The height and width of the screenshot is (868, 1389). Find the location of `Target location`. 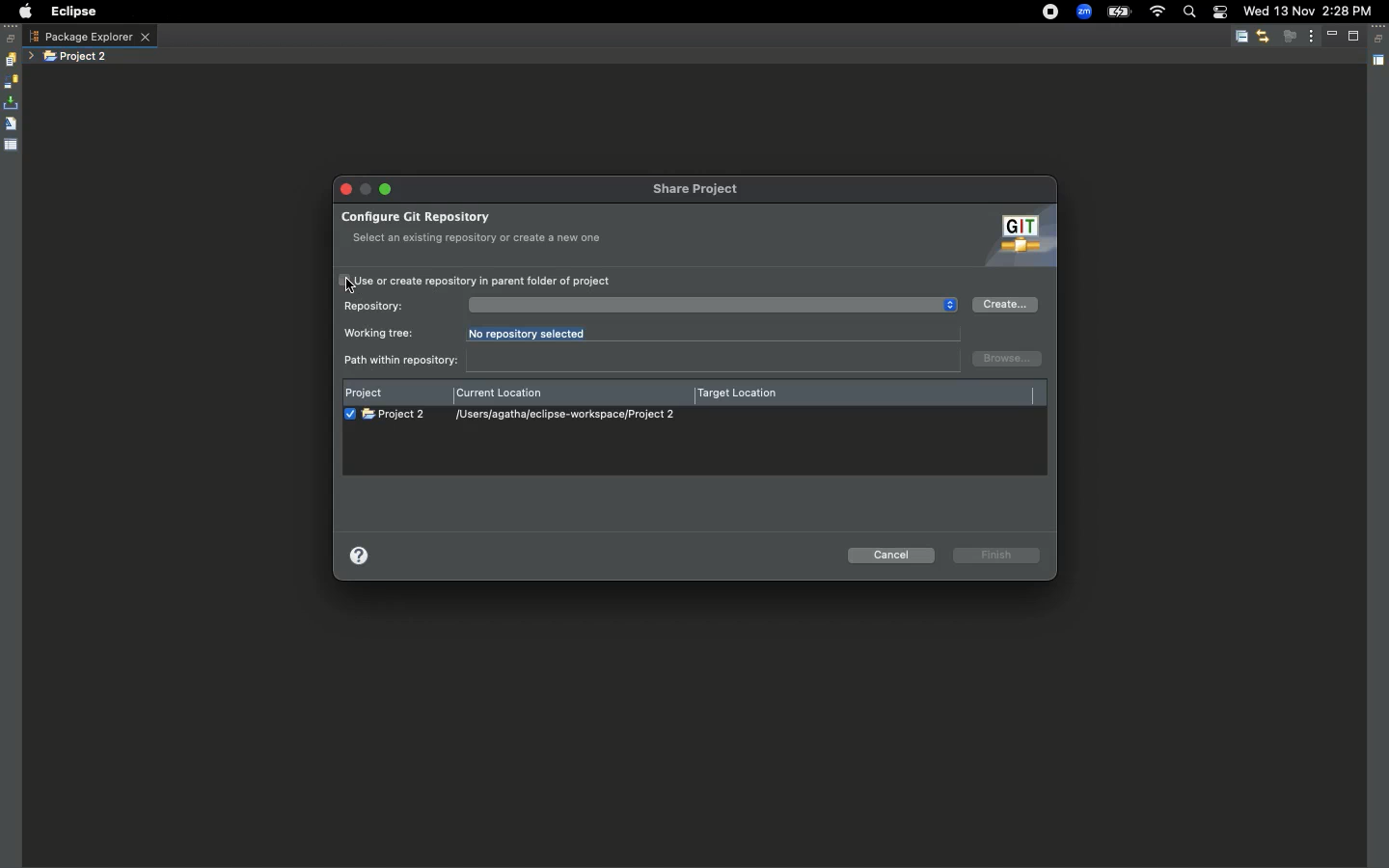

Target location is located at coordinates (743, 393).